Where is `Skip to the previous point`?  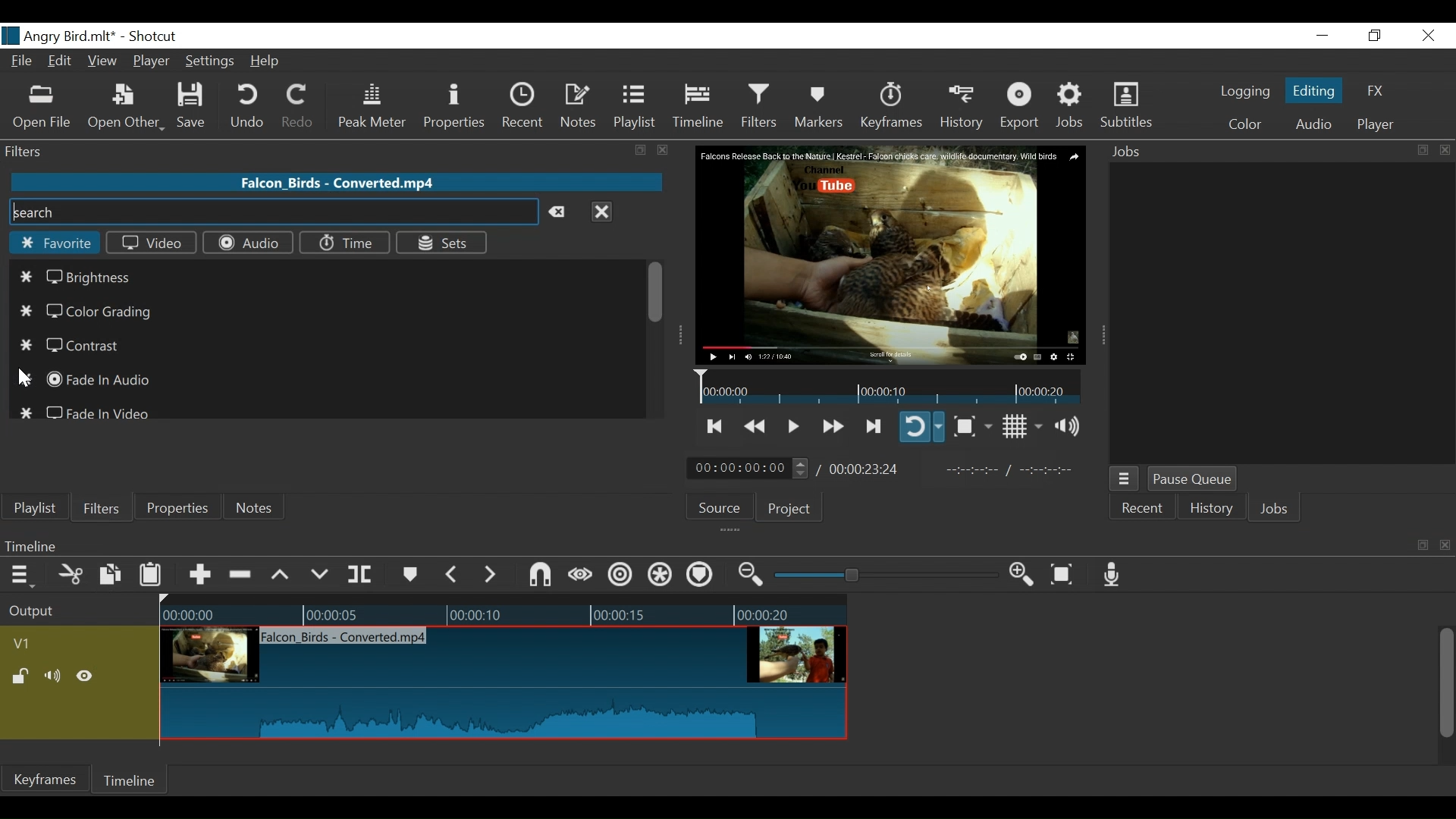
Skip to the previous point is located at coordinates (716, 426).